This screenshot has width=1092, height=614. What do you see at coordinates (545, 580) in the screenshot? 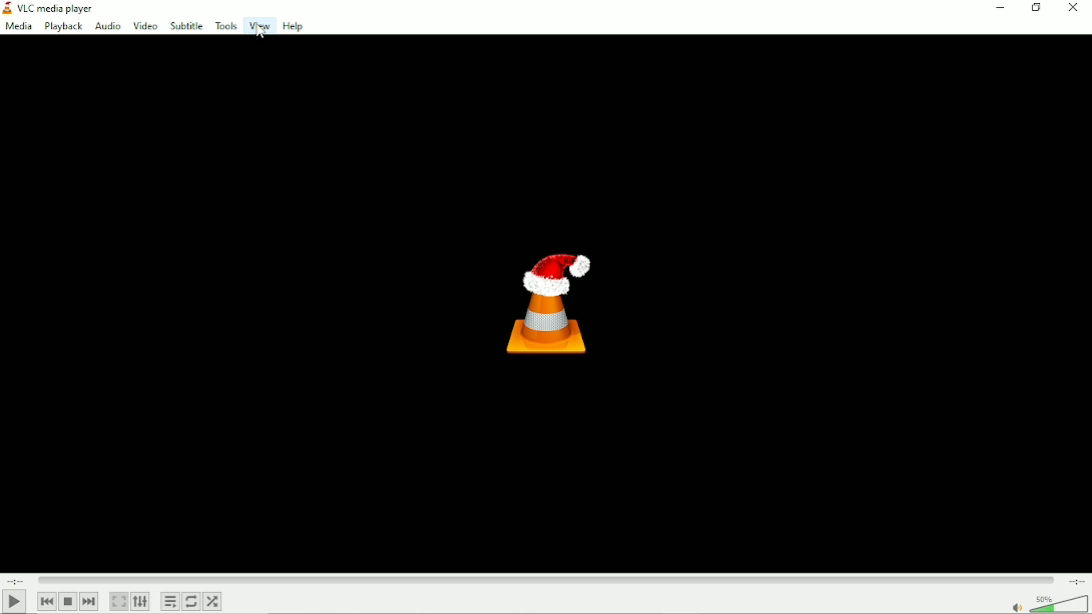
I see `Play duration` at bounding box center [545, 580].